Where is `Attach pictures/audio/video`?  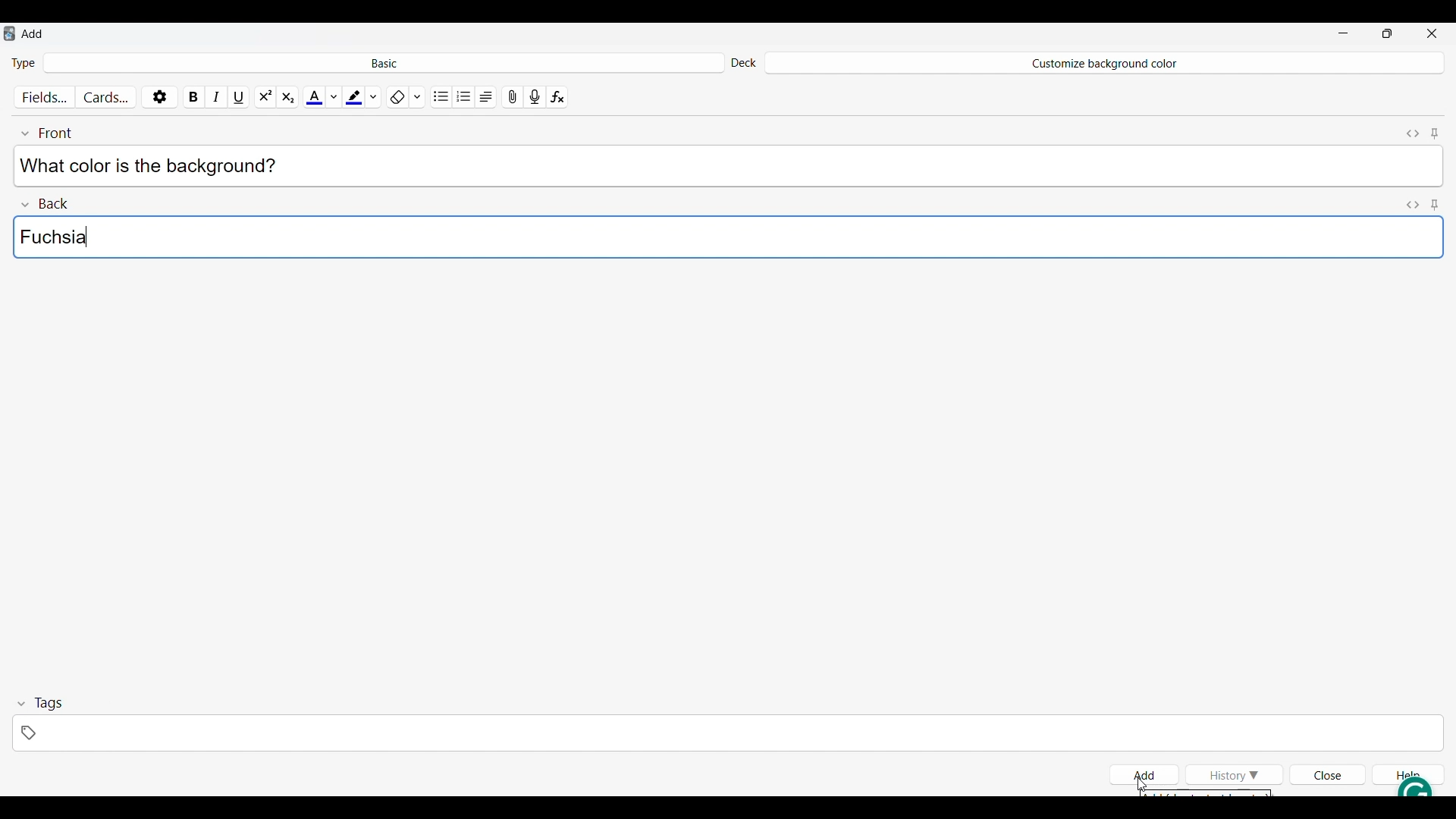
Attach pictures/audio/video is located at coordinates (513, 95).